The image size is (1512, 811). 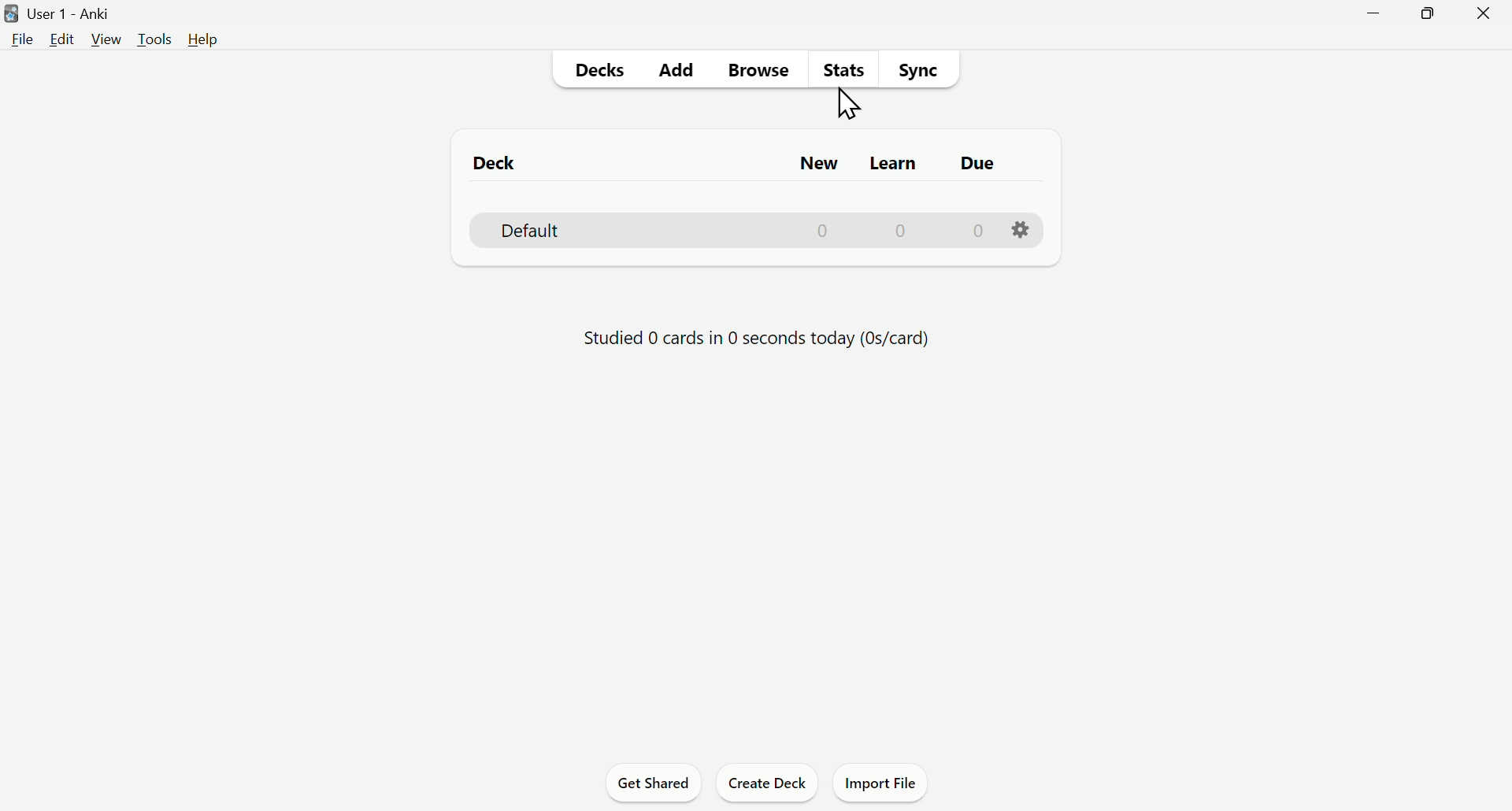 I want to click on Browse, so click(x=750, y=71).